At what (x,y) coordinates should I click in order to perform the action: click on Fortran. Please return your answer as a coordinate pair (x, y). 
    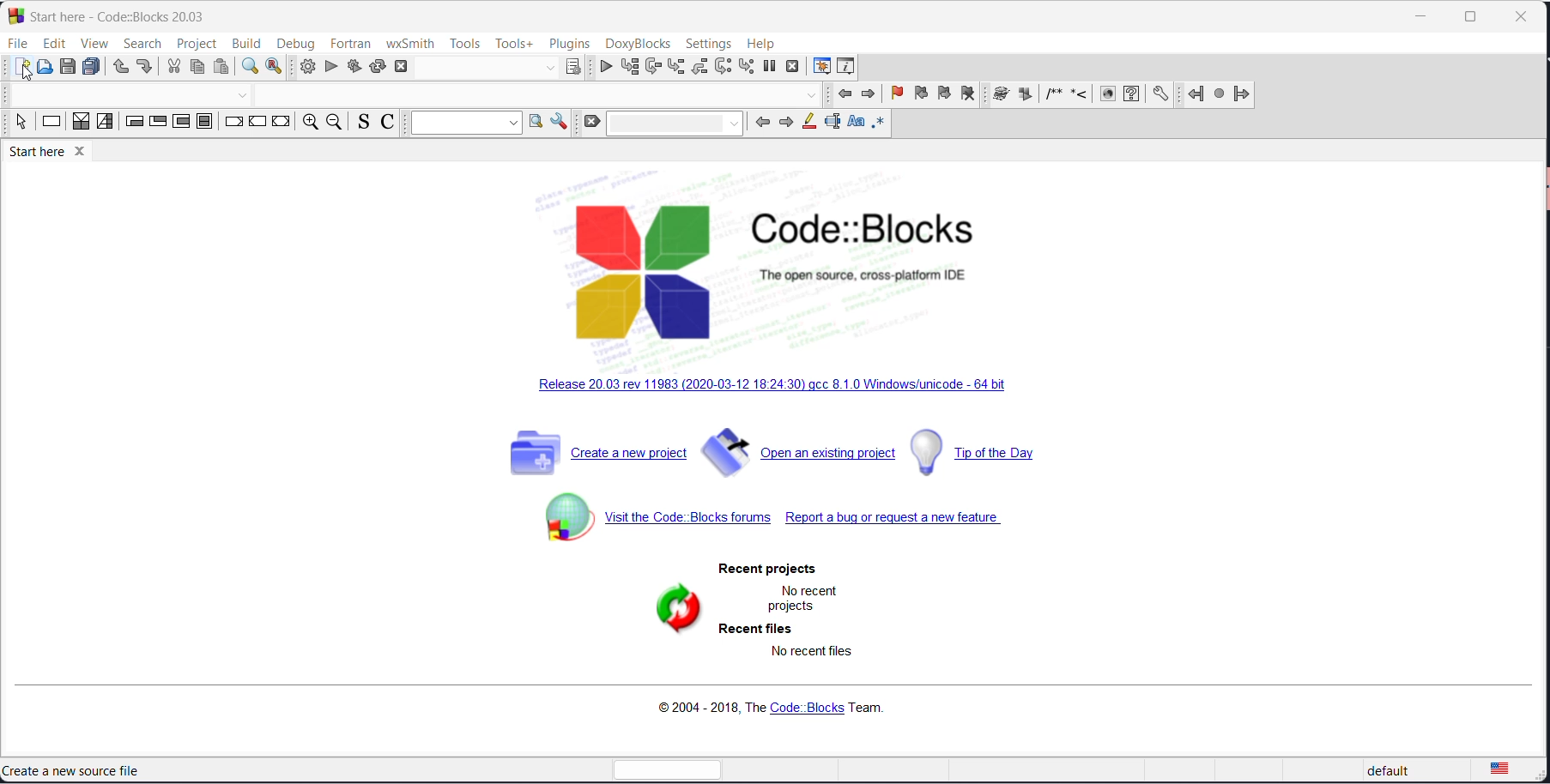
    Looking at the image, I should click on (352, 43).